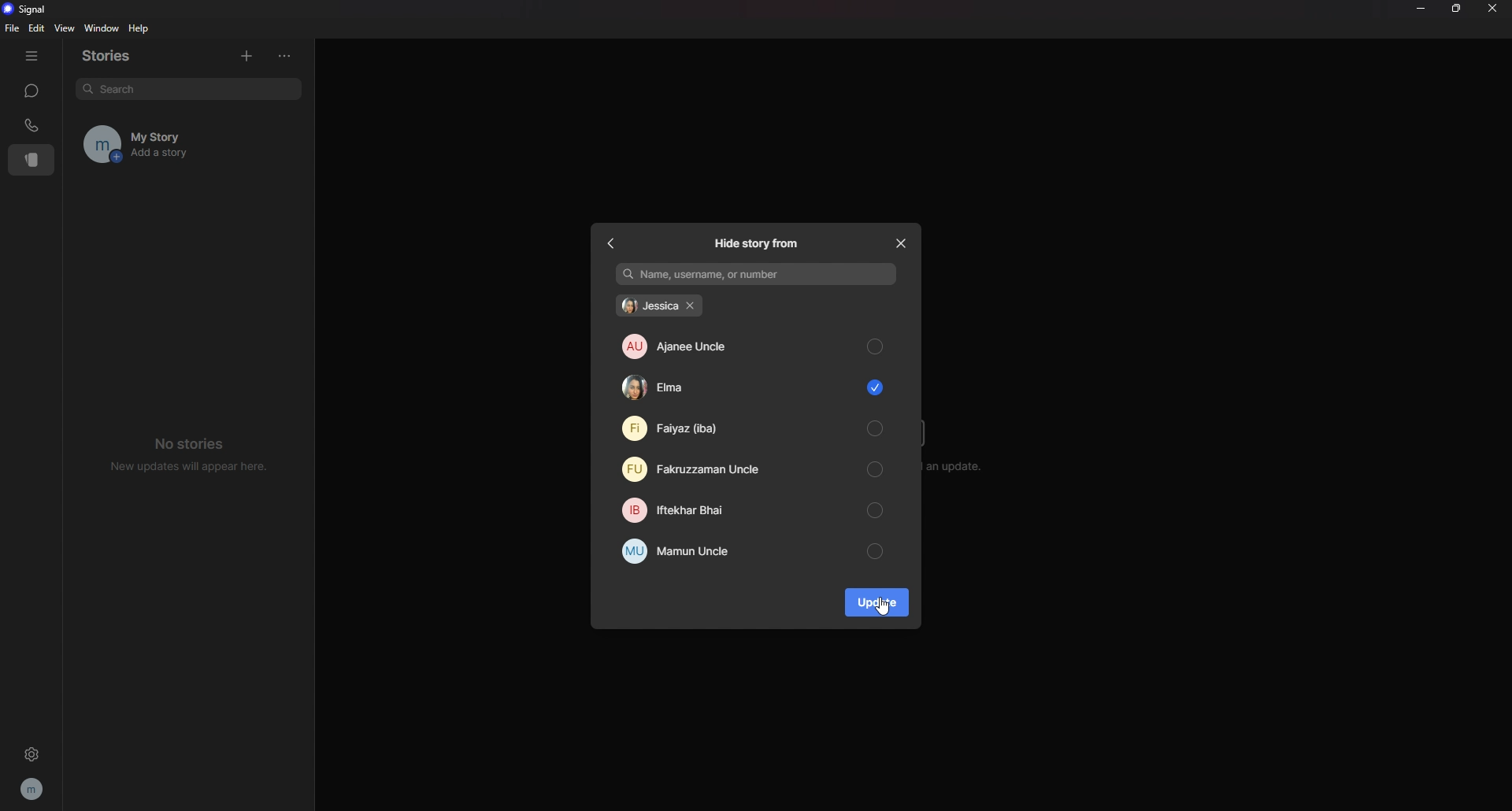  What do you see at coordinates (14, 28) in the screenshot?
I see `file` at bounding box center [14, 28].